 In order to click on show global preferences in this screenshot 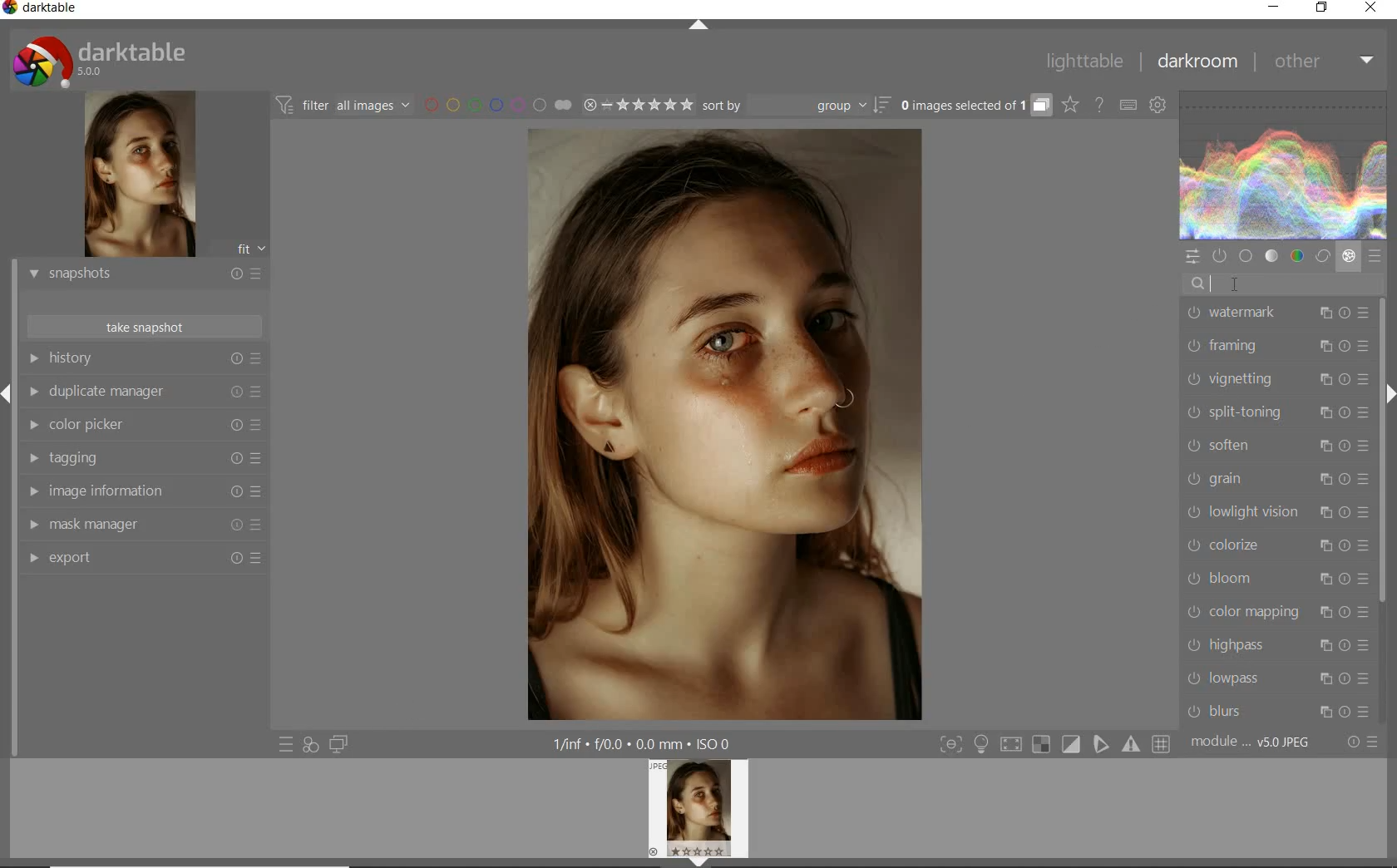, I will do `click(1159, 106)`.